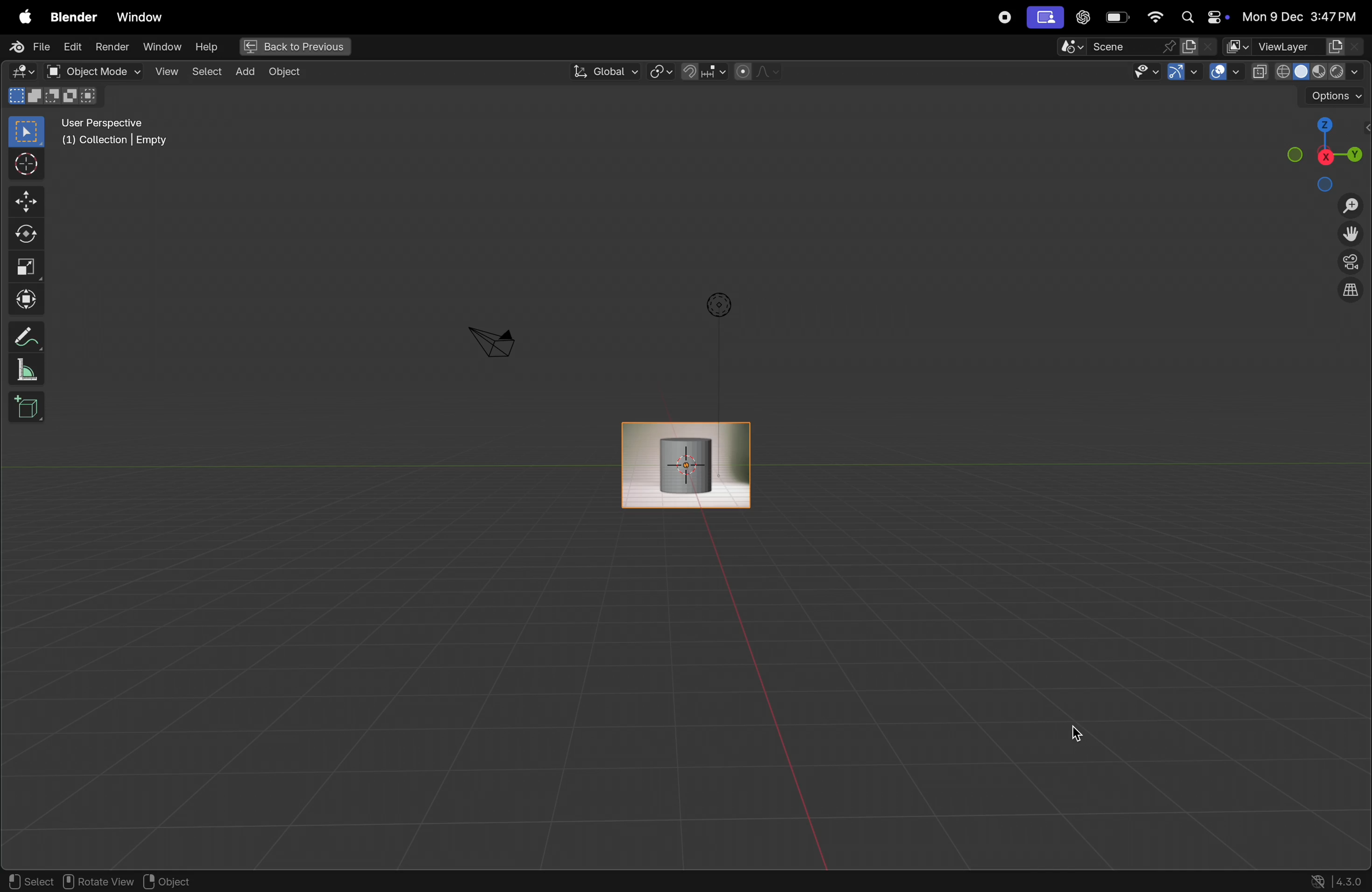  I want to click on window, so click(161, 48).